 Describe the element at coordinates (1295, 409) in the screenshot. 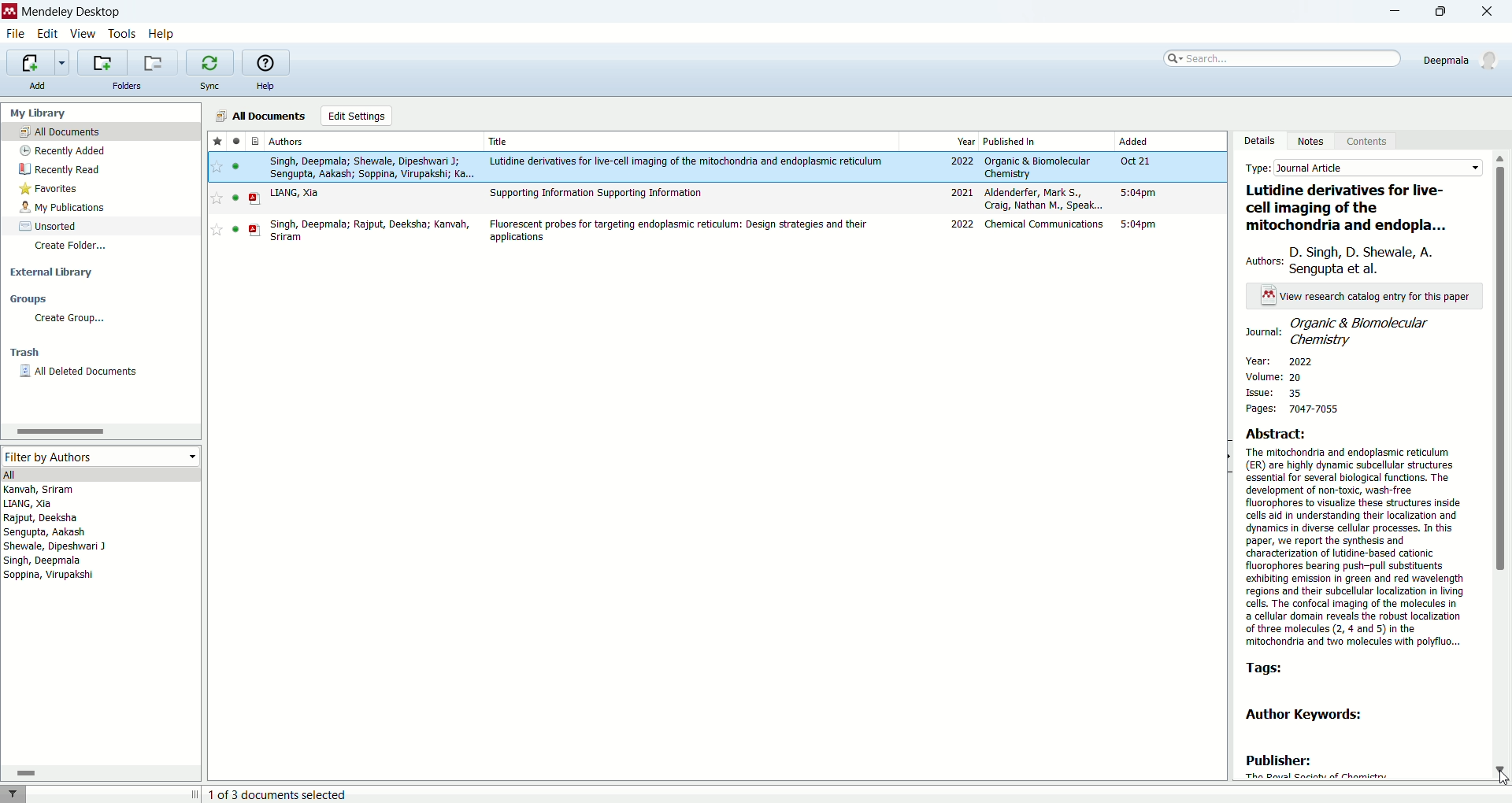

I see `pages: 7047-7055` at that location.